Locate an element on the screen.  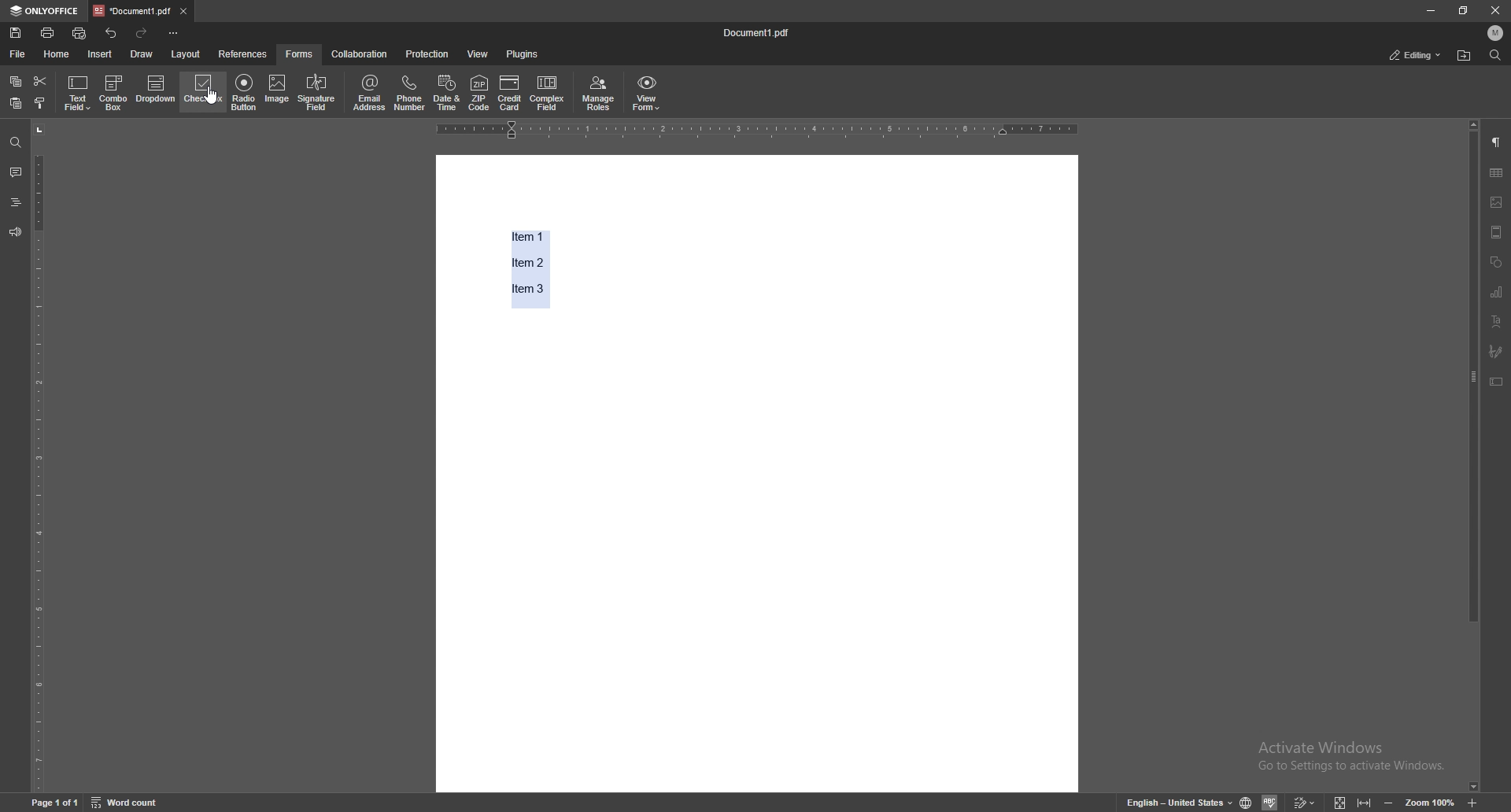
fit to screen is located at coordinates (1340, 801).